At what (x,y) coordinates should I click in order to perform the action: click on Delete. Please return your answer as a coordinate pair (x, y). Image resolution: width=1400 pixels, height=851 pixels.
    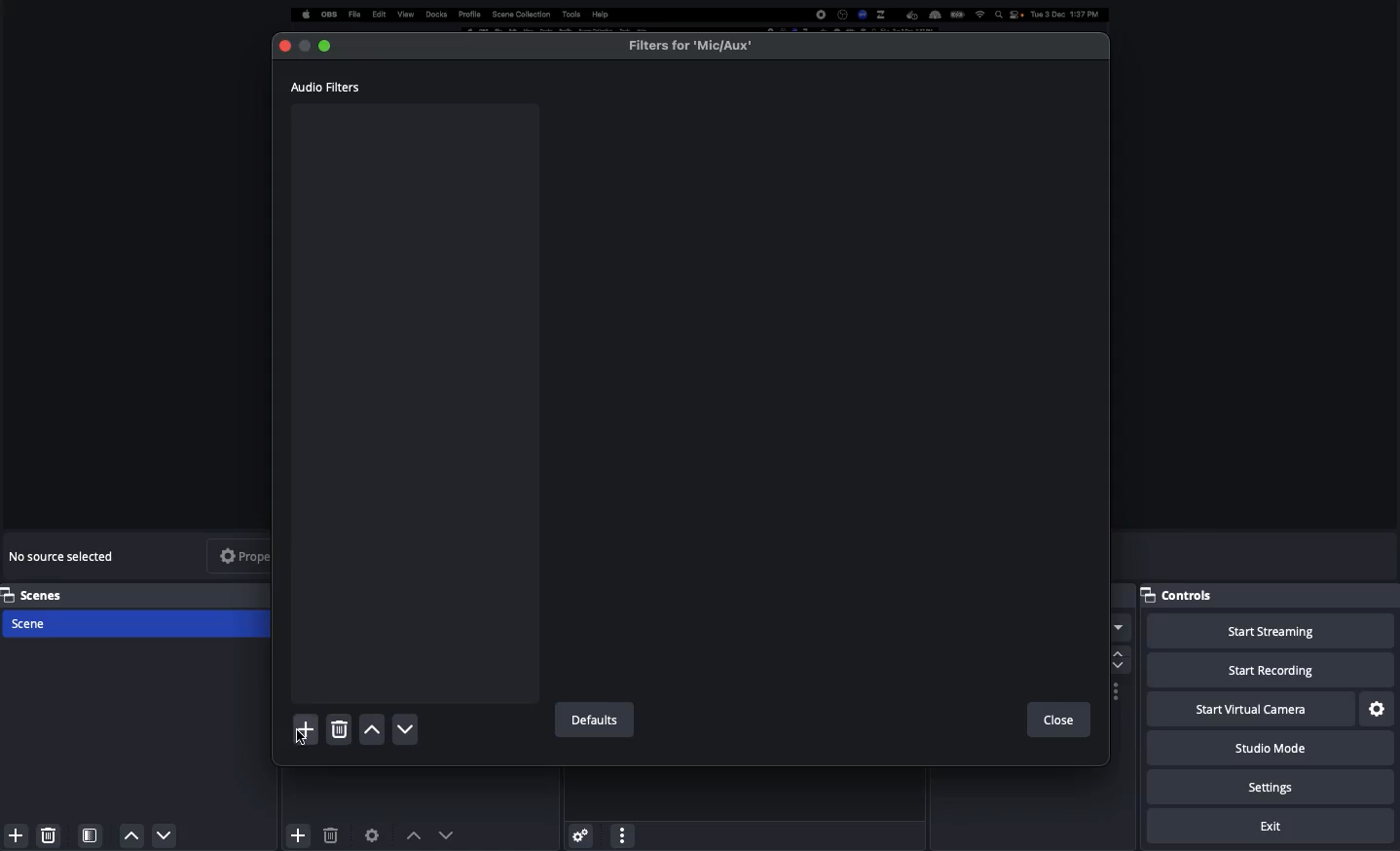
    Looking at the image, I should click on (338, 730).